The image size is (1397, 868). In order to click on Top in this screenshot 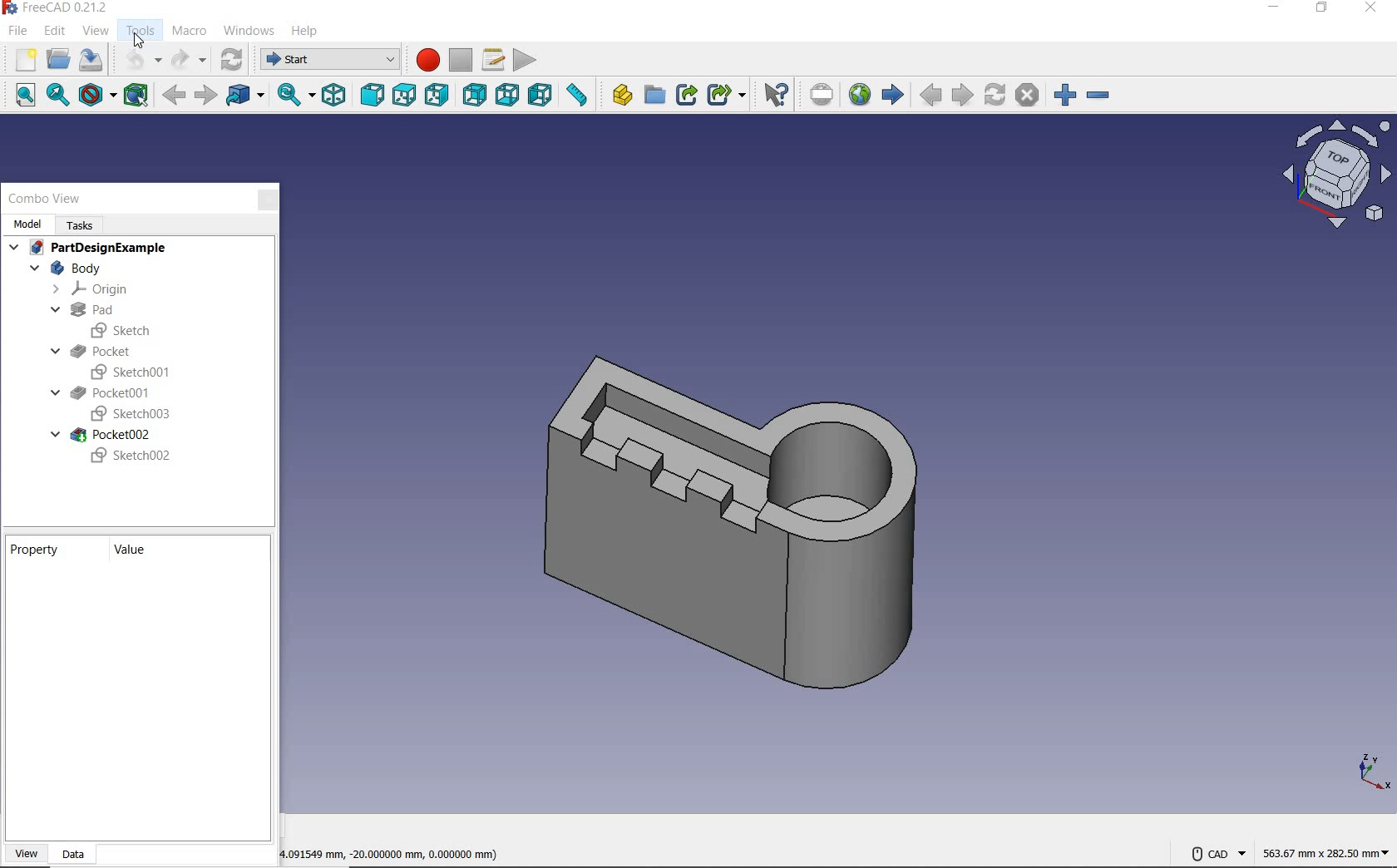, I will do `click(404, 99)`.